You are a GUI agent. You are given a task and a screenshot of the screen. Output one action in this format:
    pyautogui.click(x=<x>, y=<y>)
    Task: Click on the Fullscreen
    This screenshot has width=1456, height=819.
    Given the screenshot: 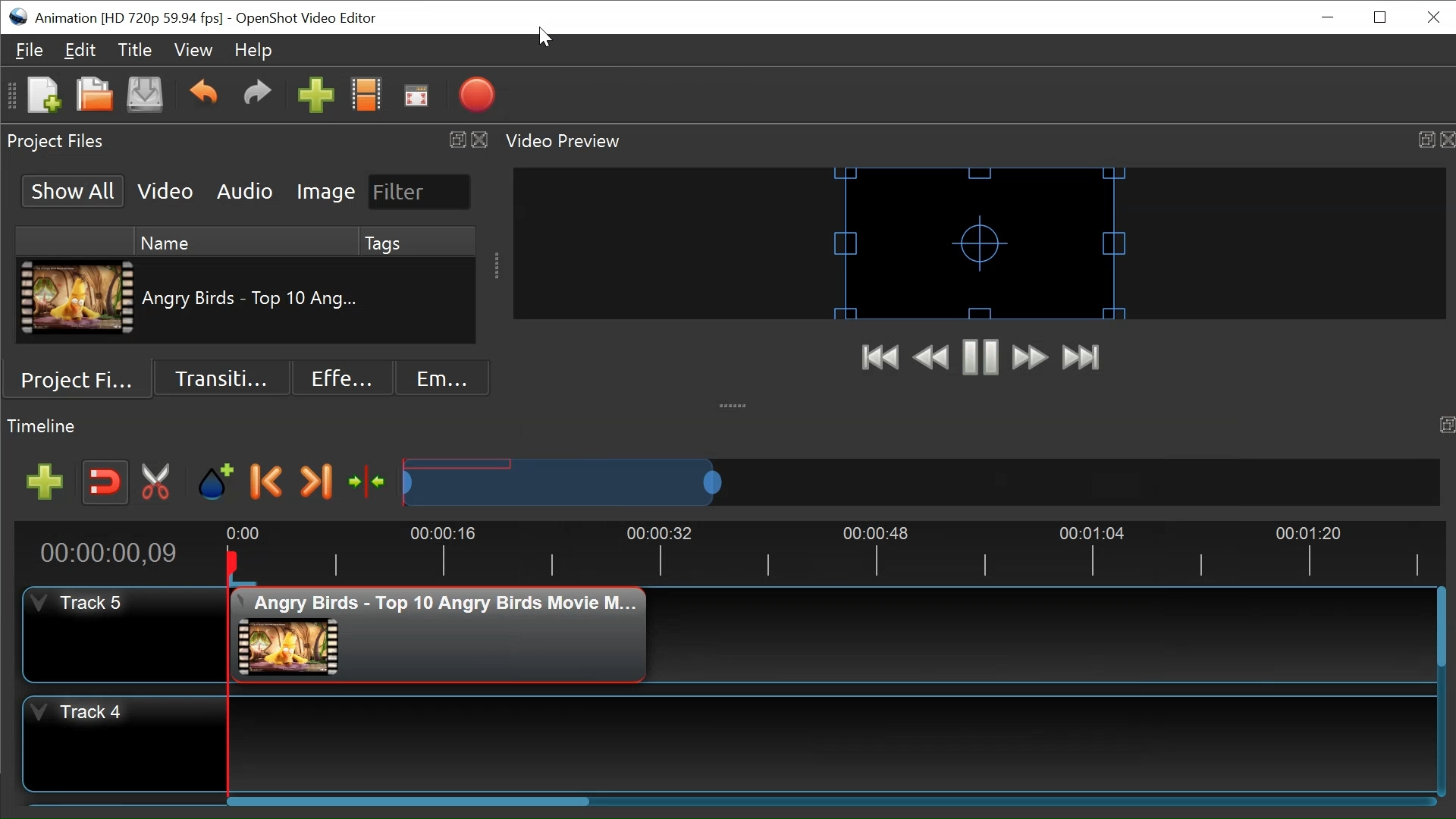 What is the action you would take?
    pyautogui.click(x=416, y=94)
    